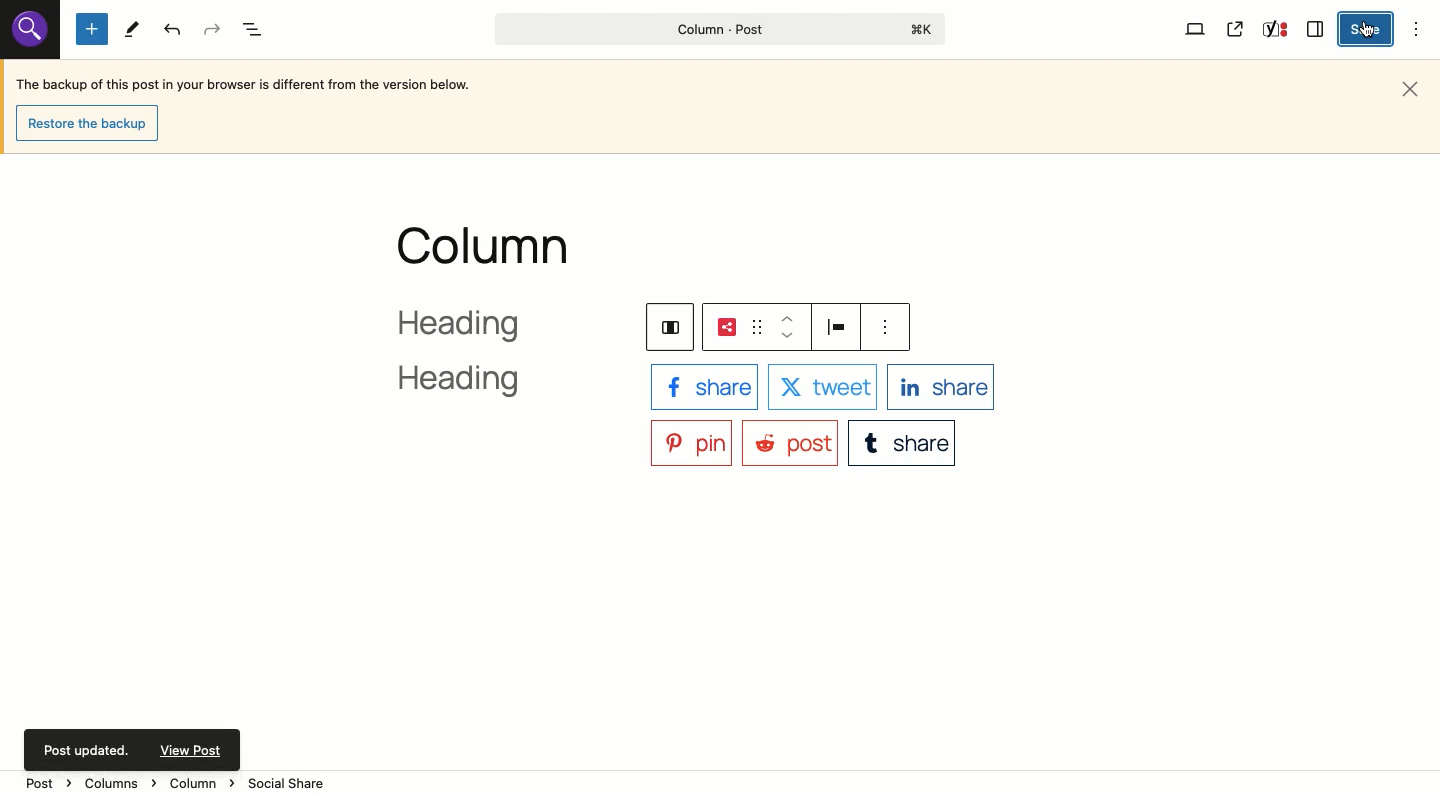 The height and width of the screenshot is (794, 1440). I want to click on columns, so click(666, 325).